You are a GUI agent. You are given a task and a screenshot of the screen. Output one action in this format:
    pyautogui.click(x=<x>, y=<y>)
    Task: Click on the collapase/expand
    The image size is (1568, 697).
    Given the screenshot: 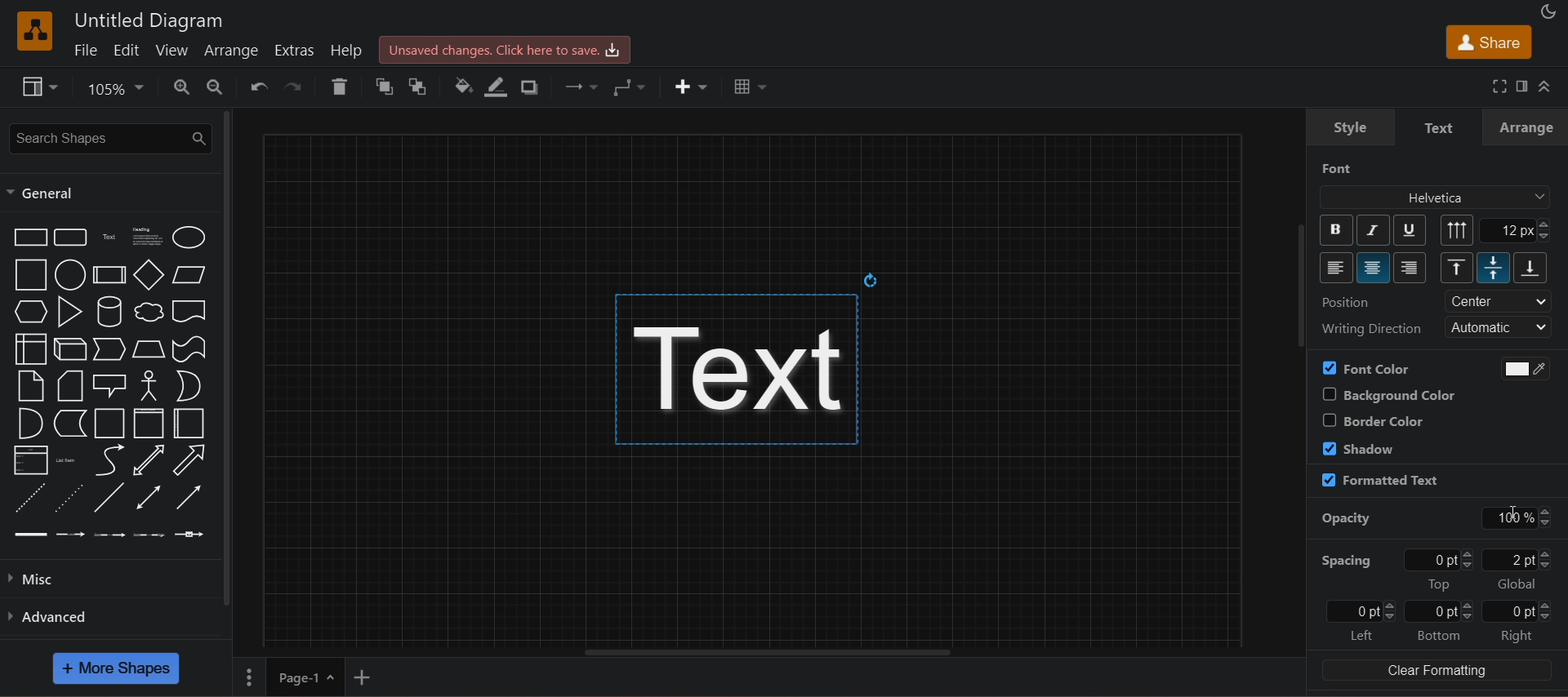 What is the action you would take?
    pyautogui.click(x=1545, y=87)
    